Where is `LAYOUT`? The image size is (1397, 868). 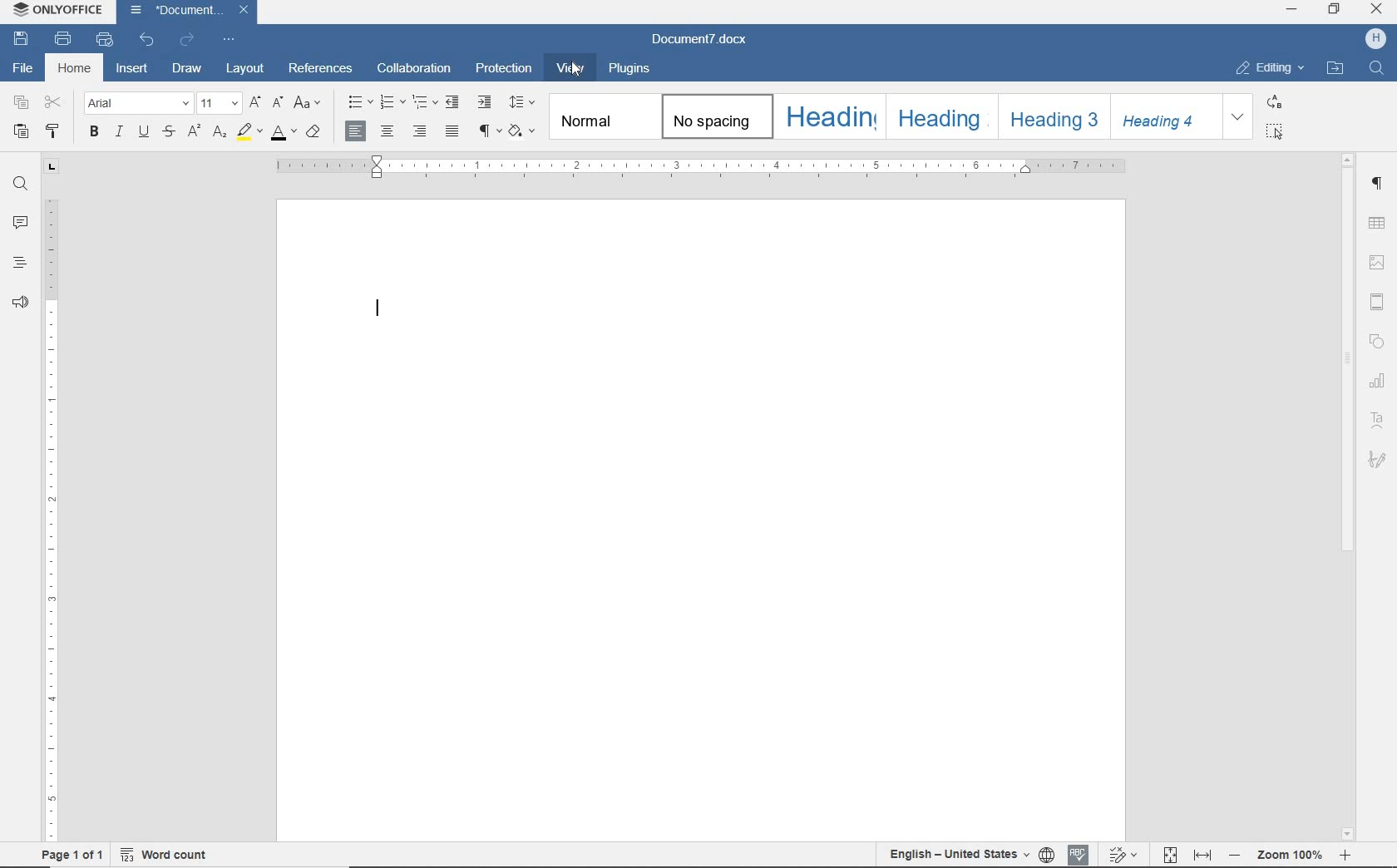
LAYOUT is located at coordinates (246, 70).